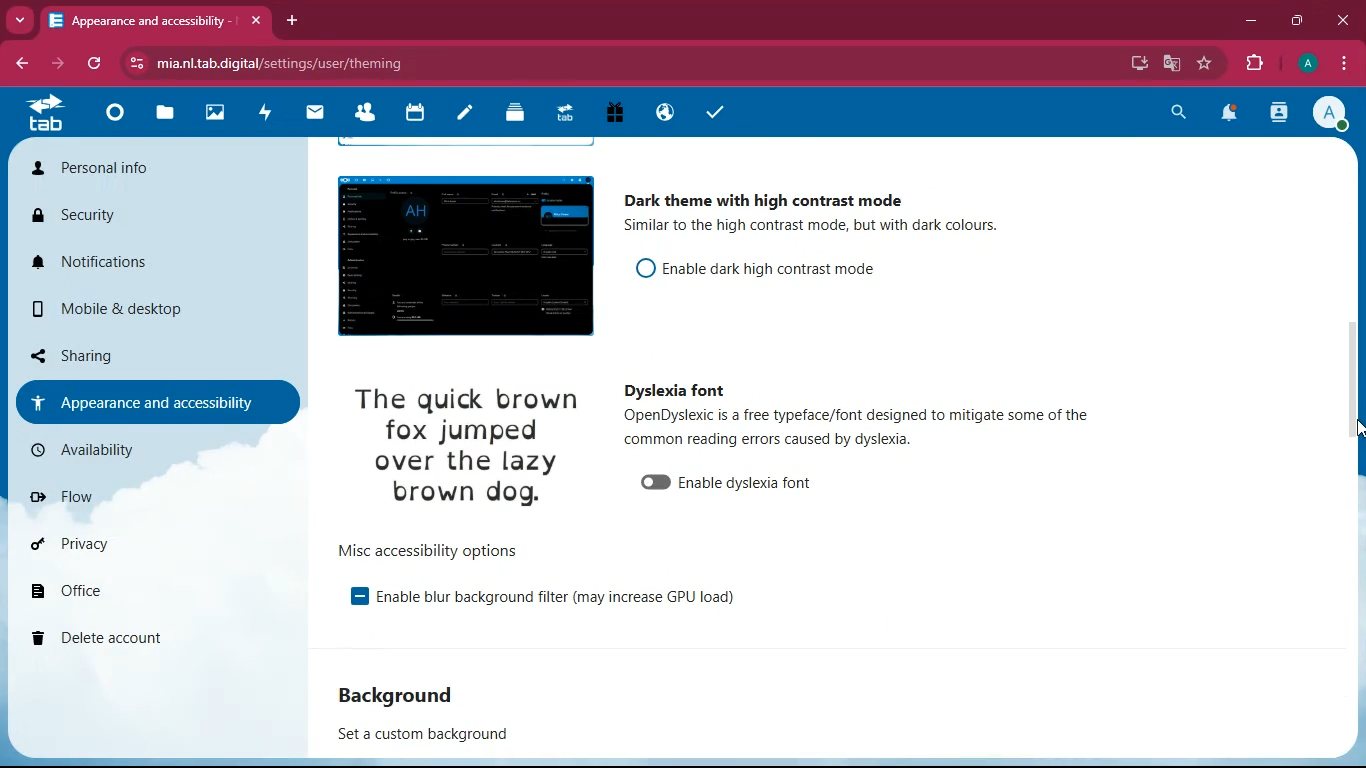 The width and height of the screenshot is (1366, 768). I want to click on menu, so click(1338, 63).